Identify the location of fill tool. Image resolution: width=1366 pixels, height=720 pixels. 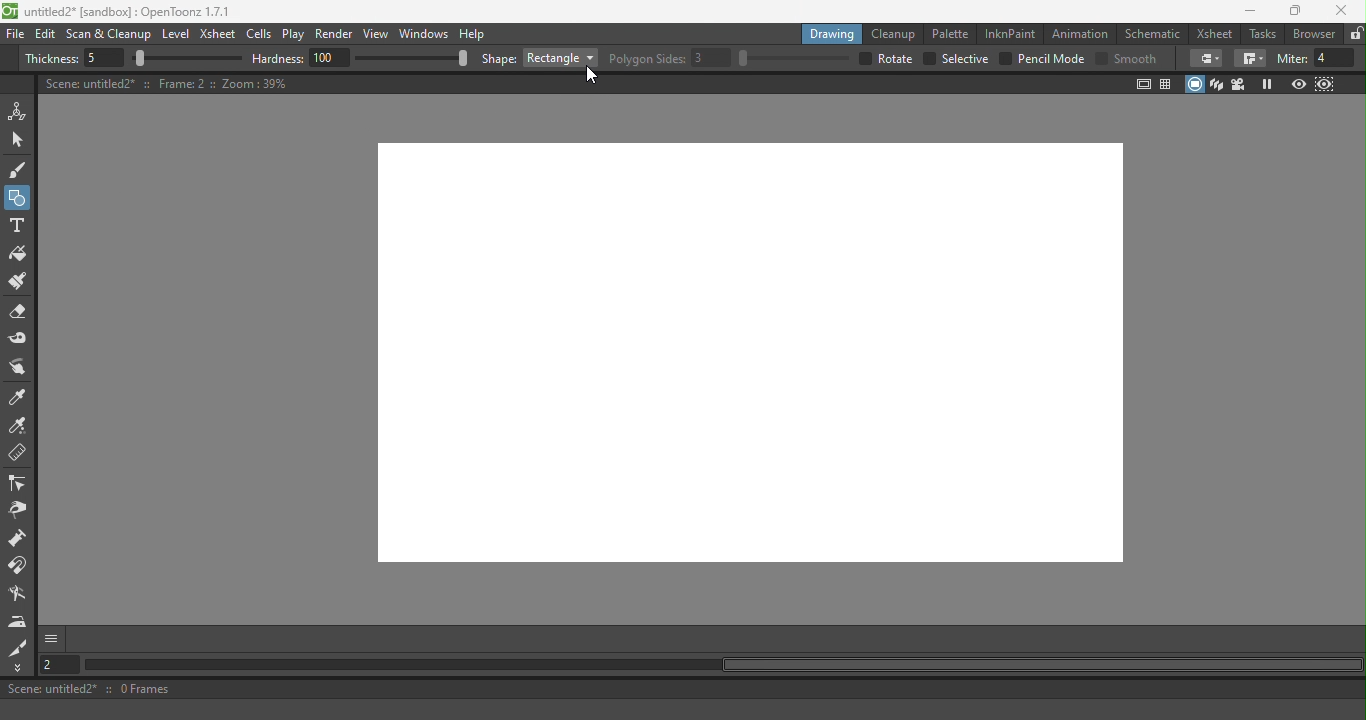
(1206, 59).